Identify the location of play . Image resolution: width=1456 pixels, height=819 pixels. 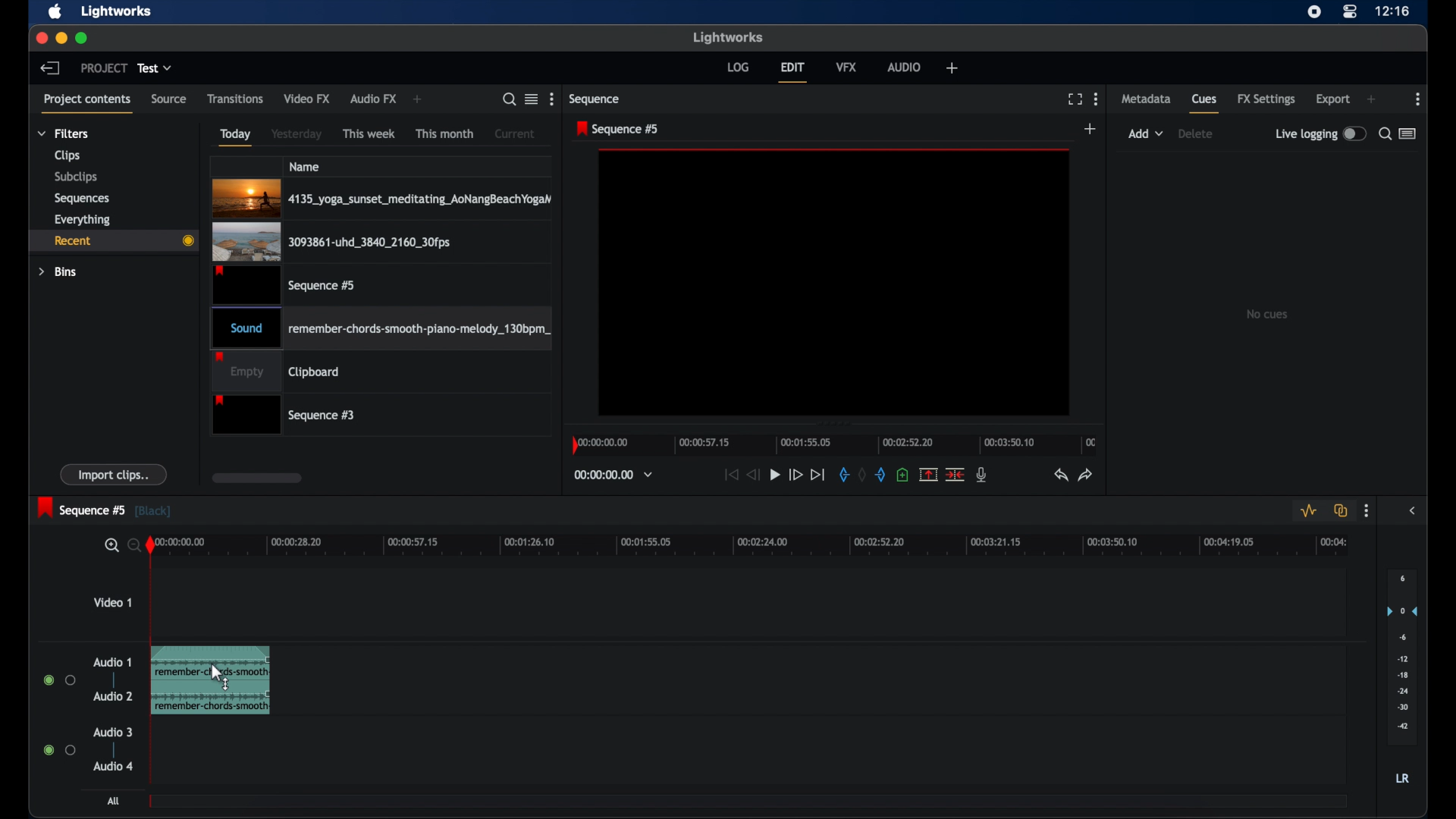
(775, 475).